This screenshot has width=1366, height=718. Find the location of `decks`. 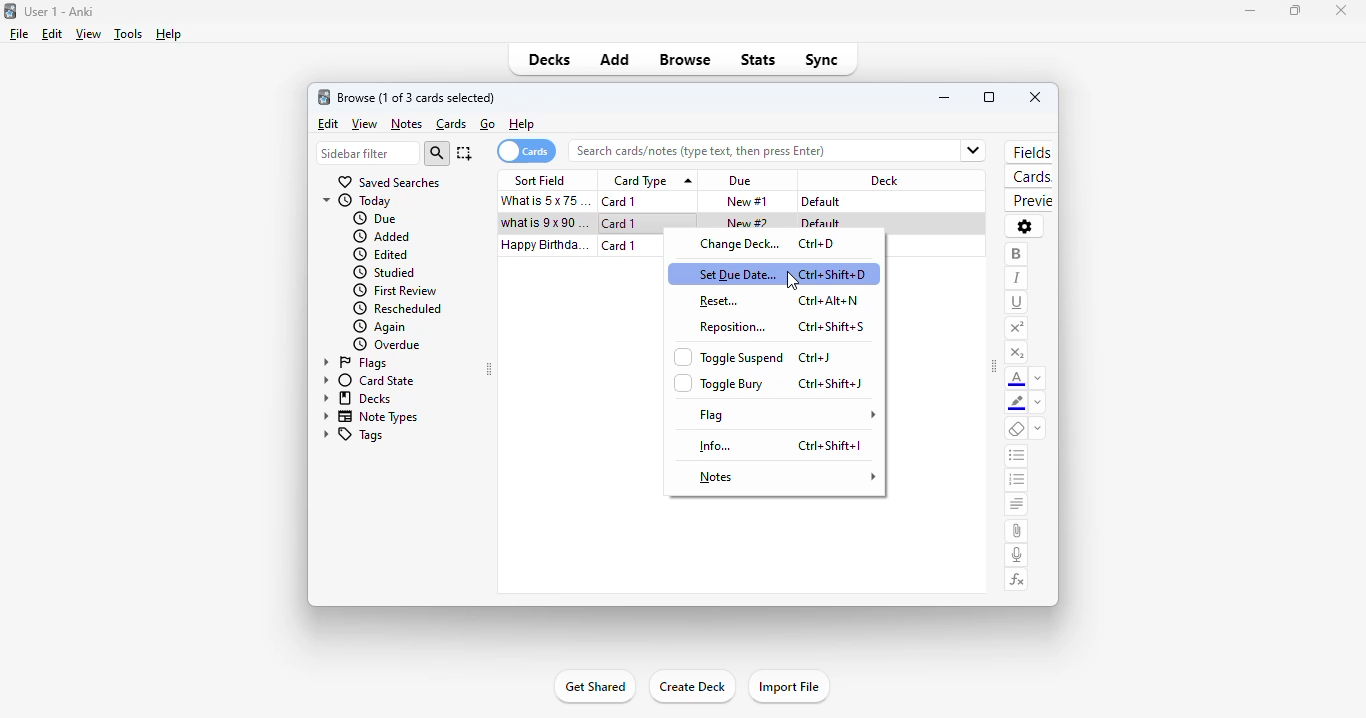

decks is located at coordinates (550, 59).